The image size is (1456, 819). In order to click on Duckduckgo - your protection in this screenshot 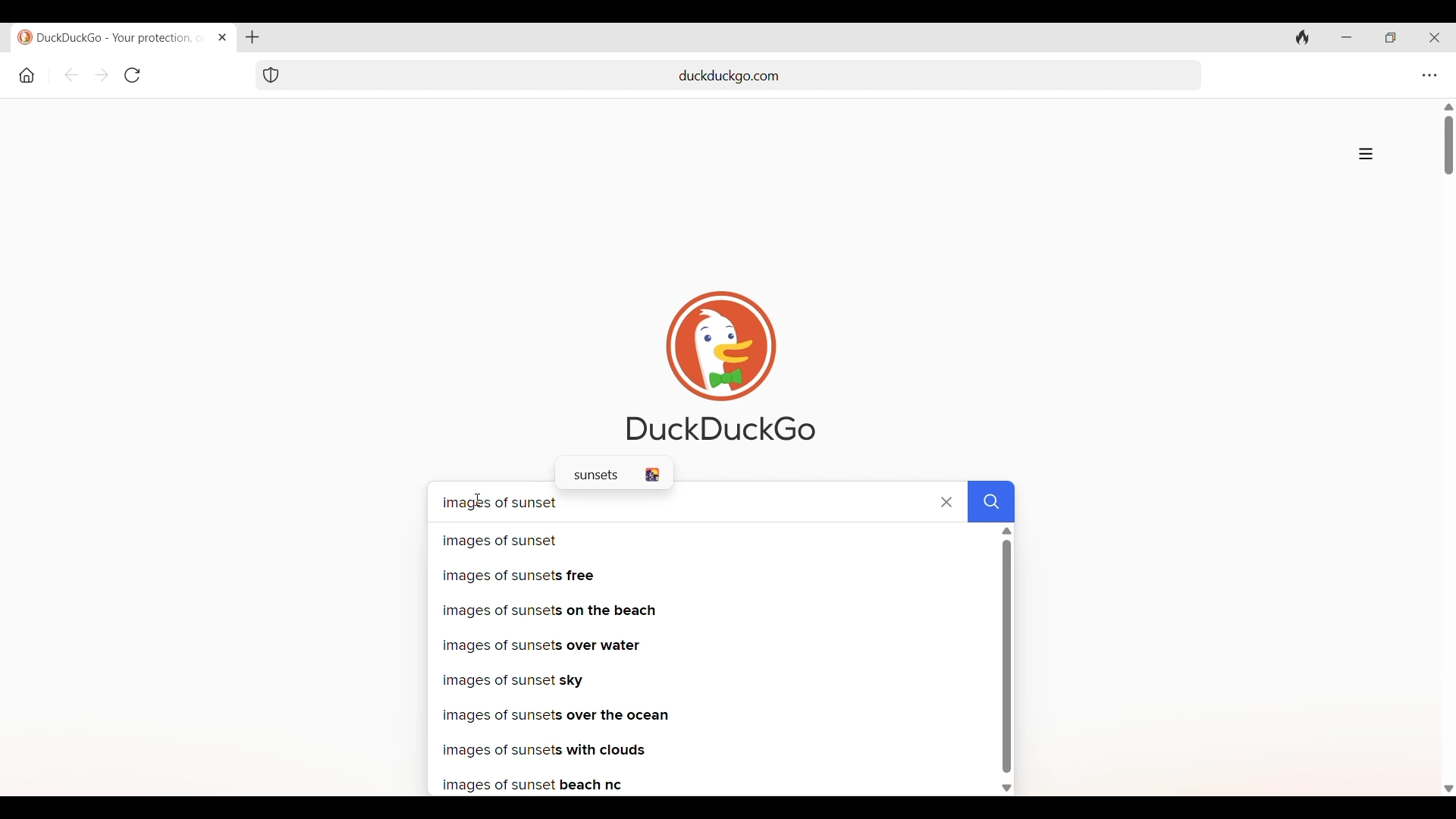, I will do `click(111, 37)`.